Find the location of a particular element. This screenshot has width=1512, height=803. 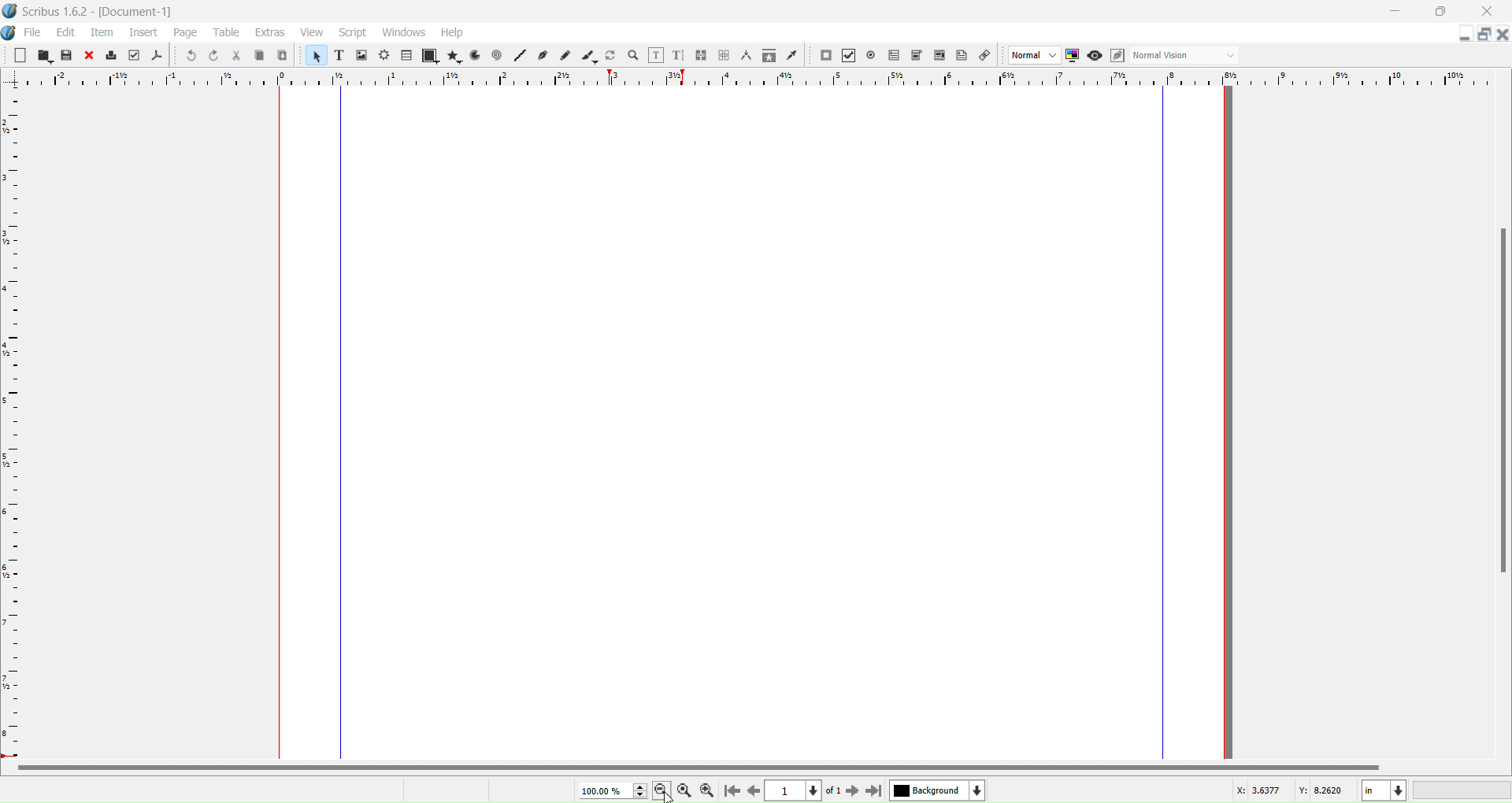

Paste is located at coordinates (283, 57).